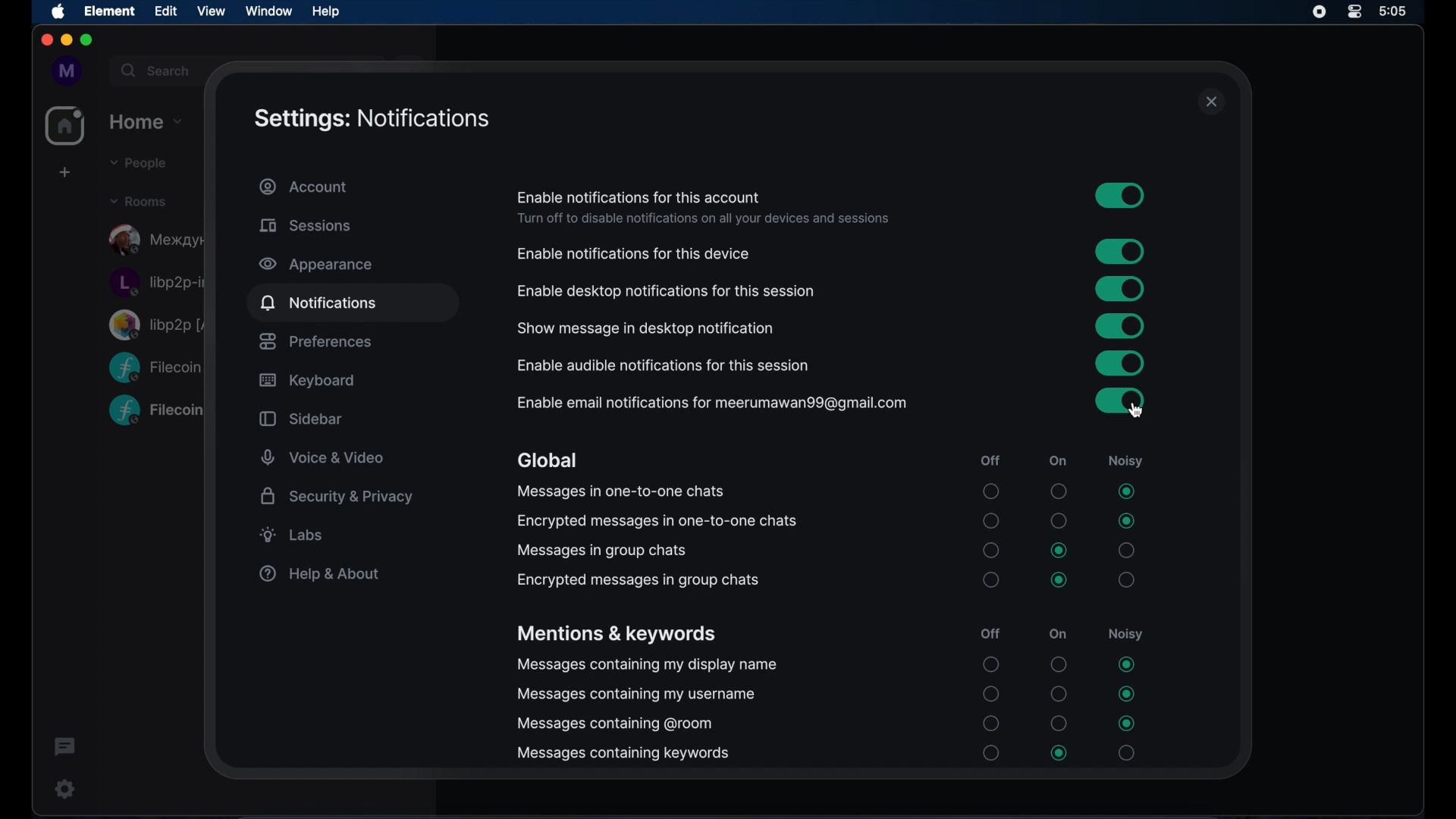 This screenshot has height=819, width=1456. What do you see at coordinates (1125, 664) in the screenshot?
I see `radio button` at bounding box center [1125, 664].